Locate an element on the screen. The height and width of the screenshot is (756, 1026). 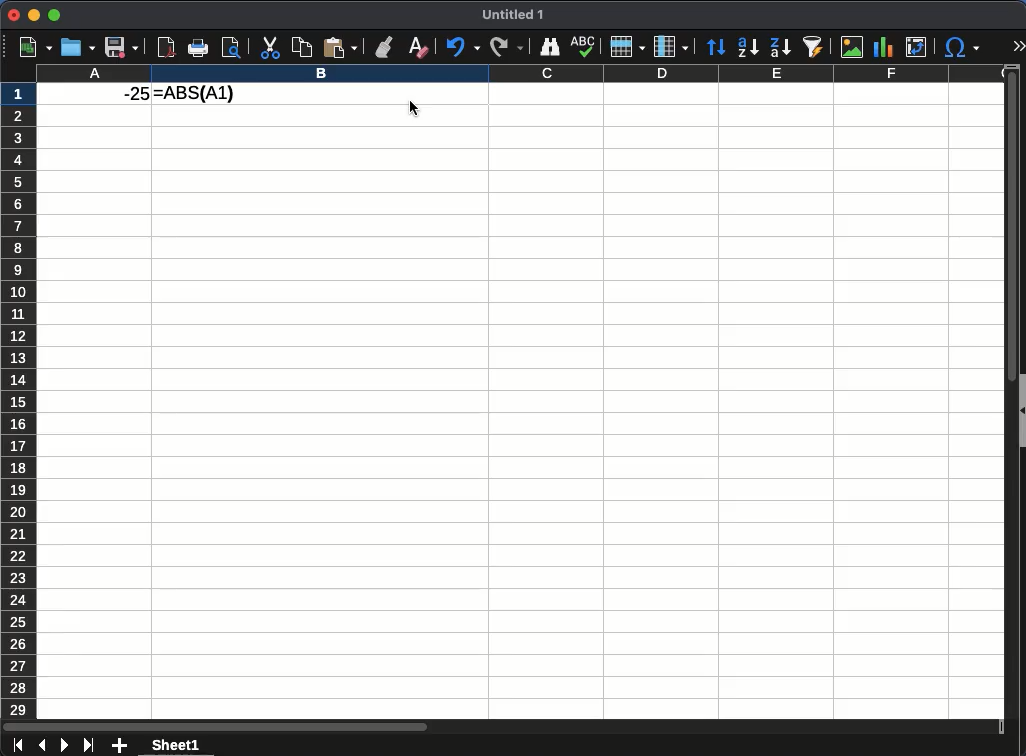
image is located at coordinates (853, 46).